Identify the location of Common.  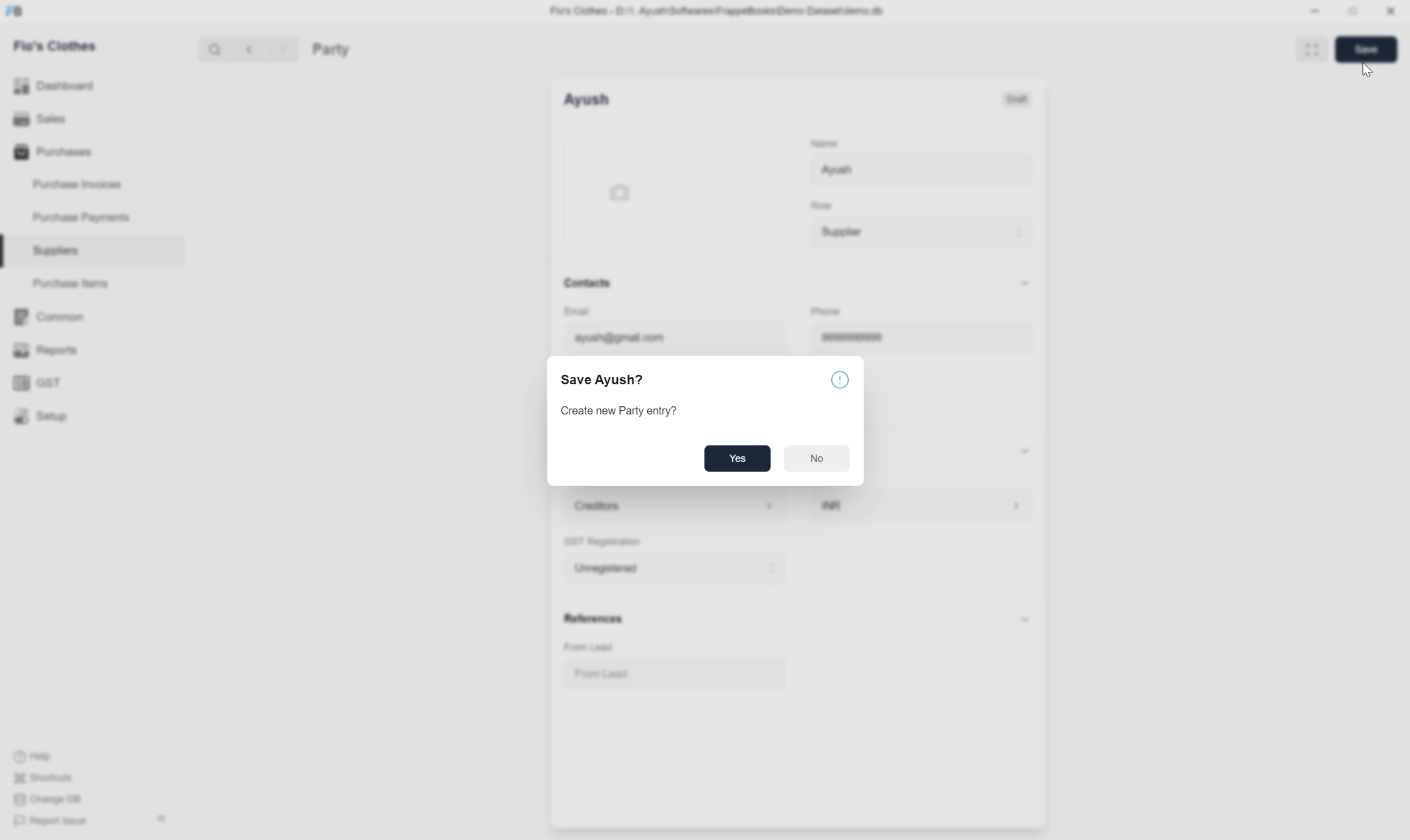
(91, 317).